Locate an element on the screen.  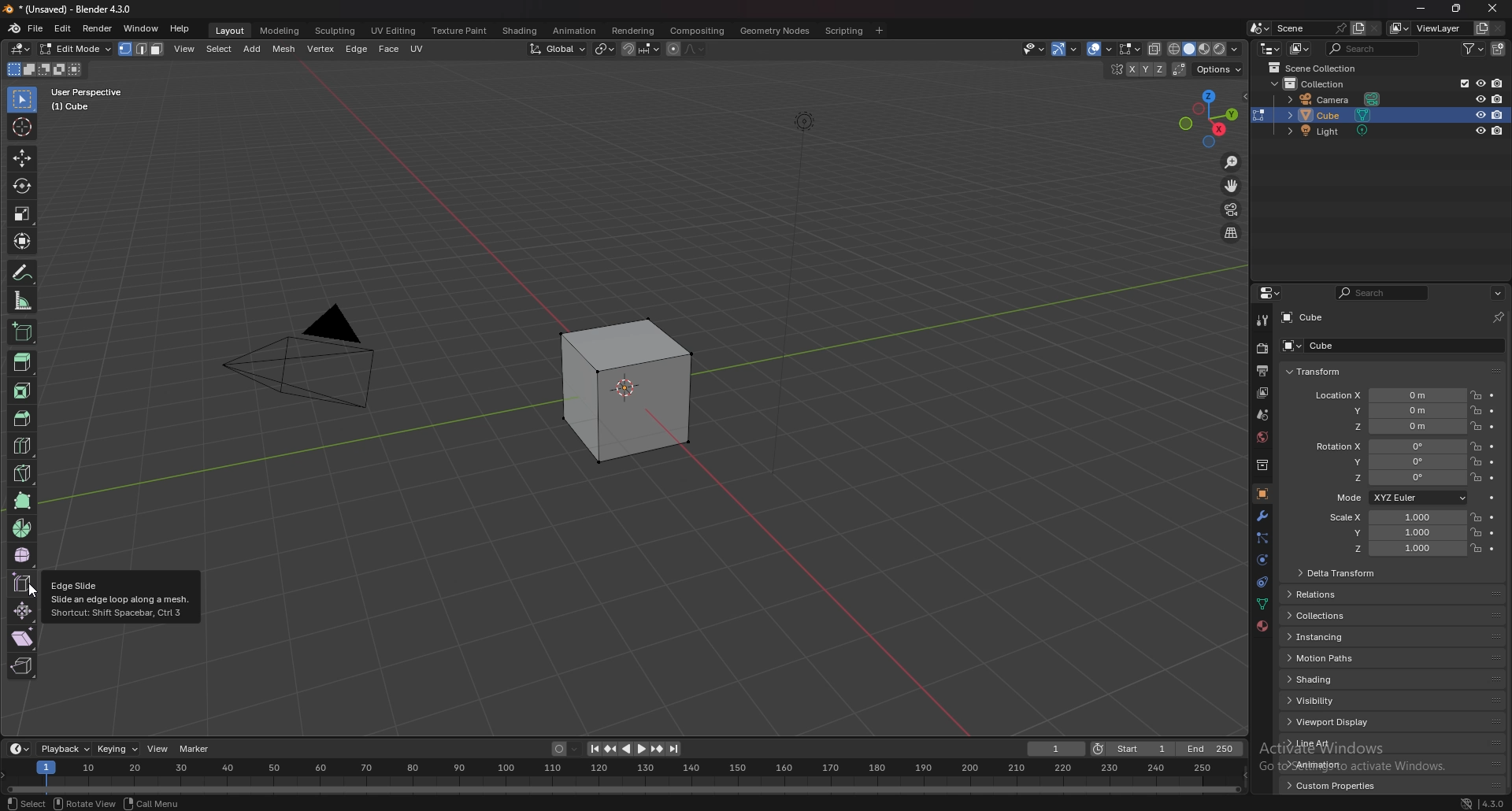
uv is located at coordinates (423, 47).